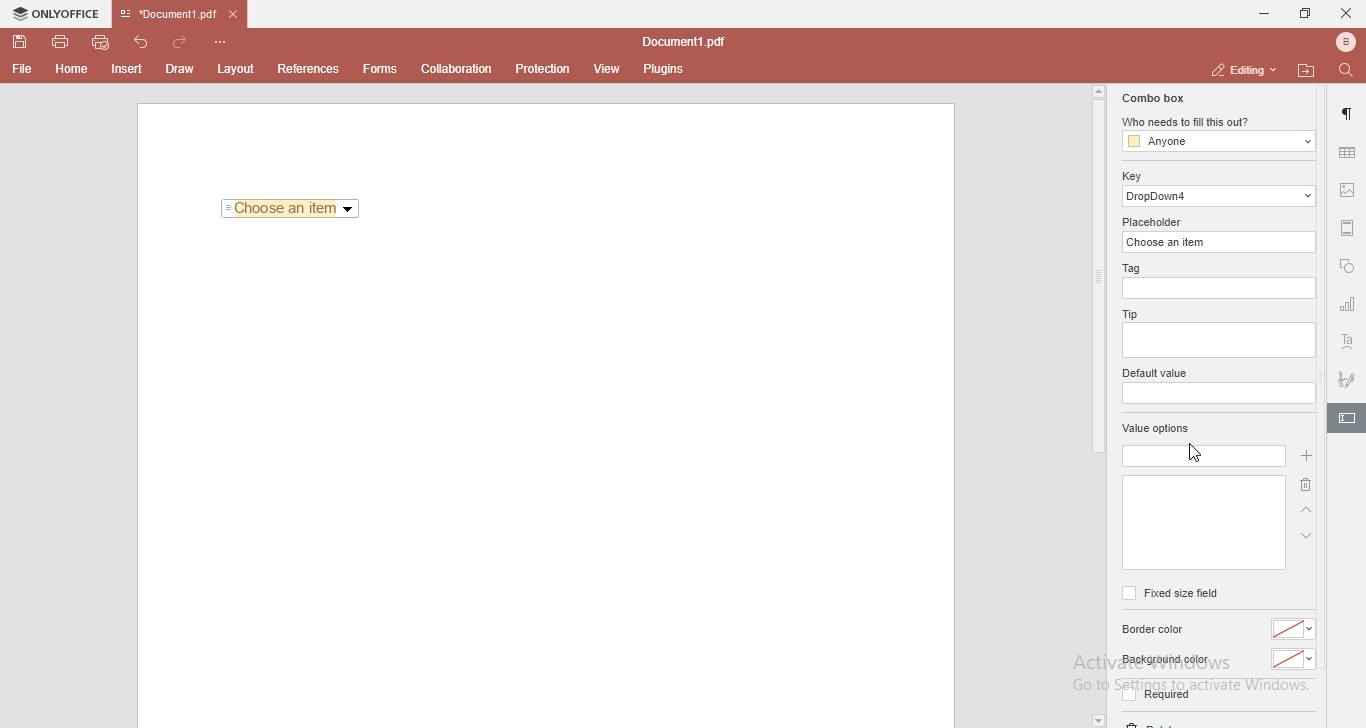  What do you see at coordinates (306, 69) in the screenshot?
I see `References` at bounding box center [306, 69].